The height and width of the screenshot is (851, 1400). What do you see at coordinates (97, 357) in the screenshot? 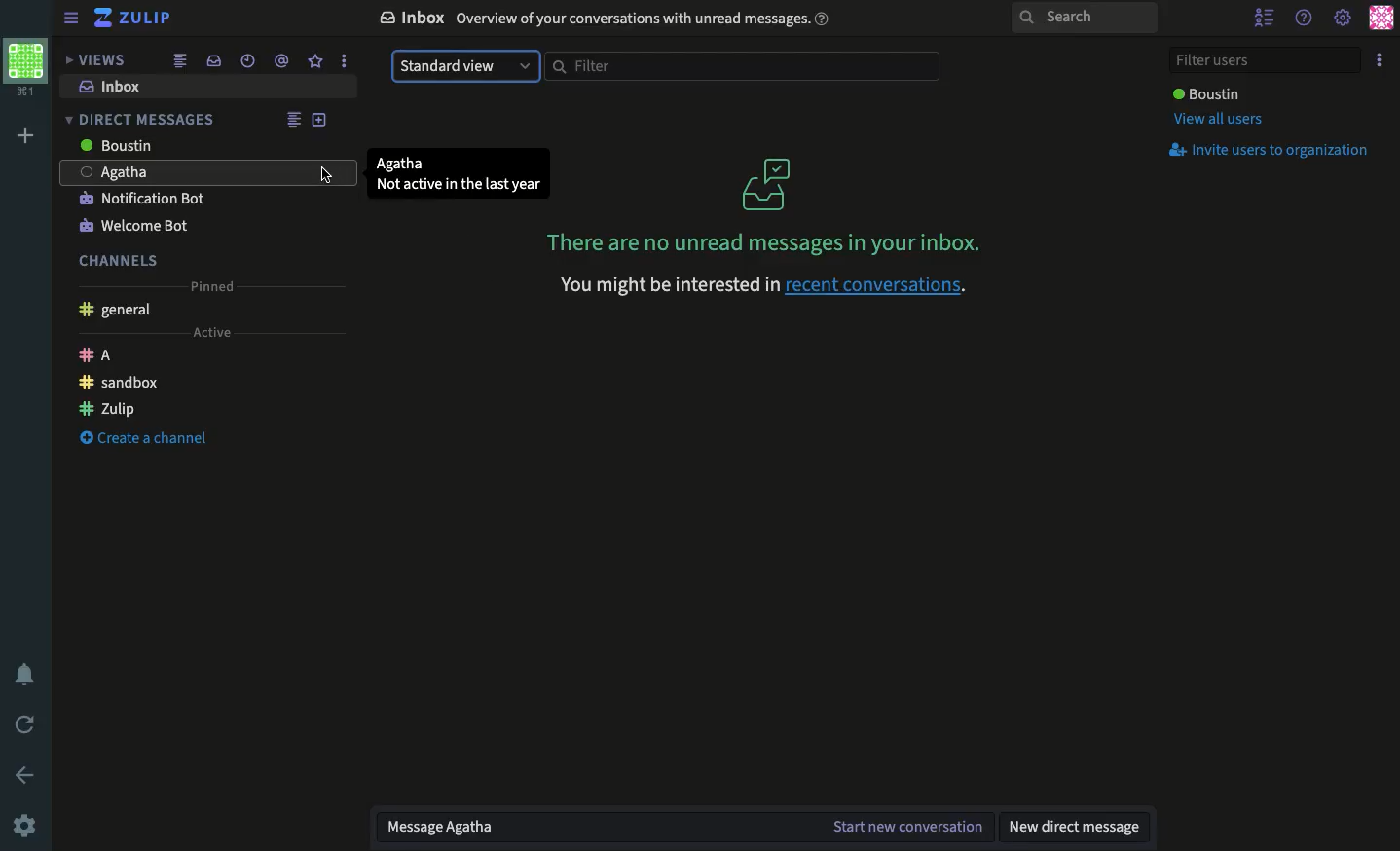
I see `A` at bounding box center [97, 357].